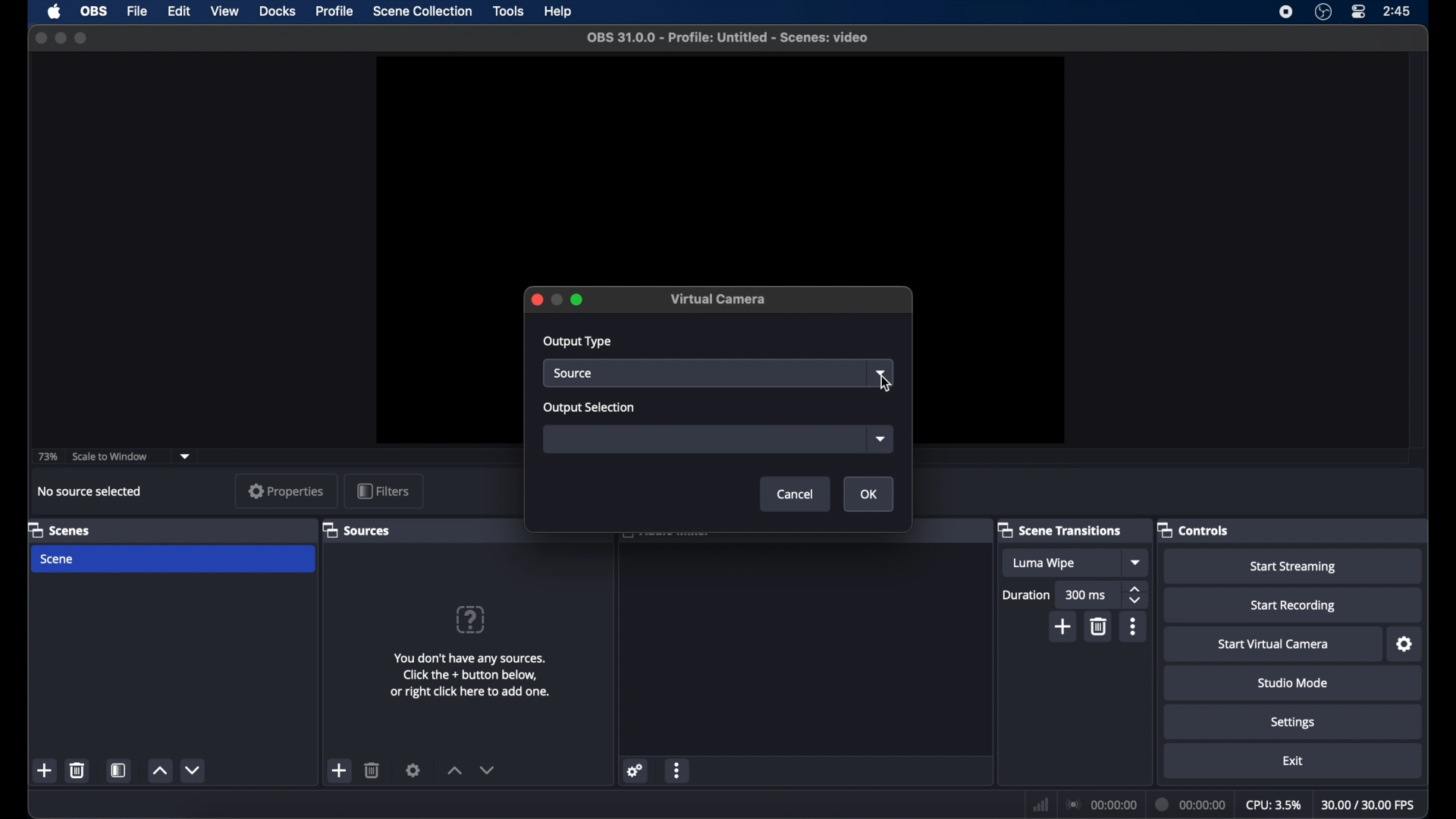 This screenshot has width=1456, height=819. Describe the element at coordinates (1272, 804) in the screenshot. I see `cpu` at that location.